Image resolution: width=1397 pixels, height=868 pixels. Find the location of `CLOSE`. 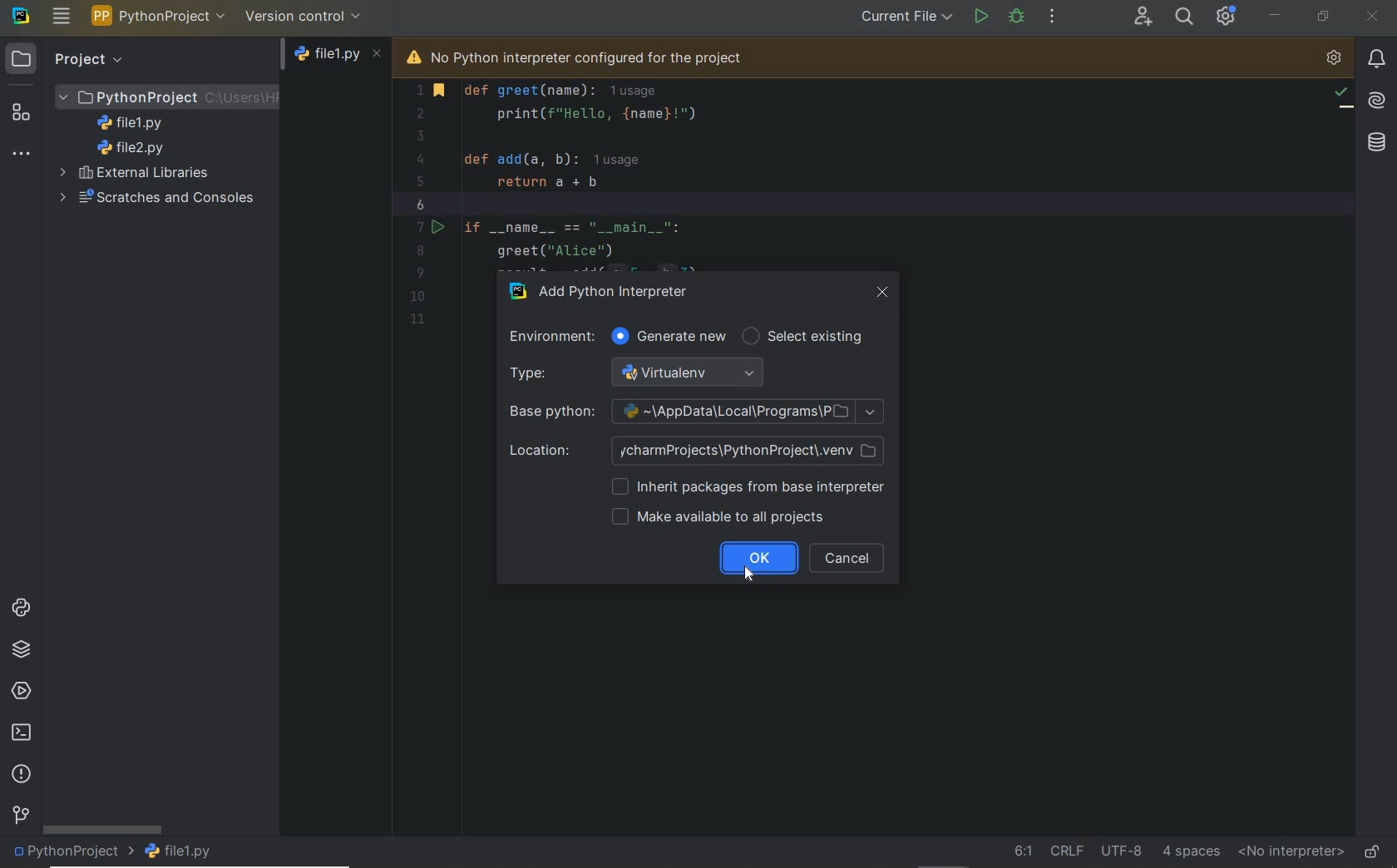

CLOSE is located at coordinates (1373, 18).